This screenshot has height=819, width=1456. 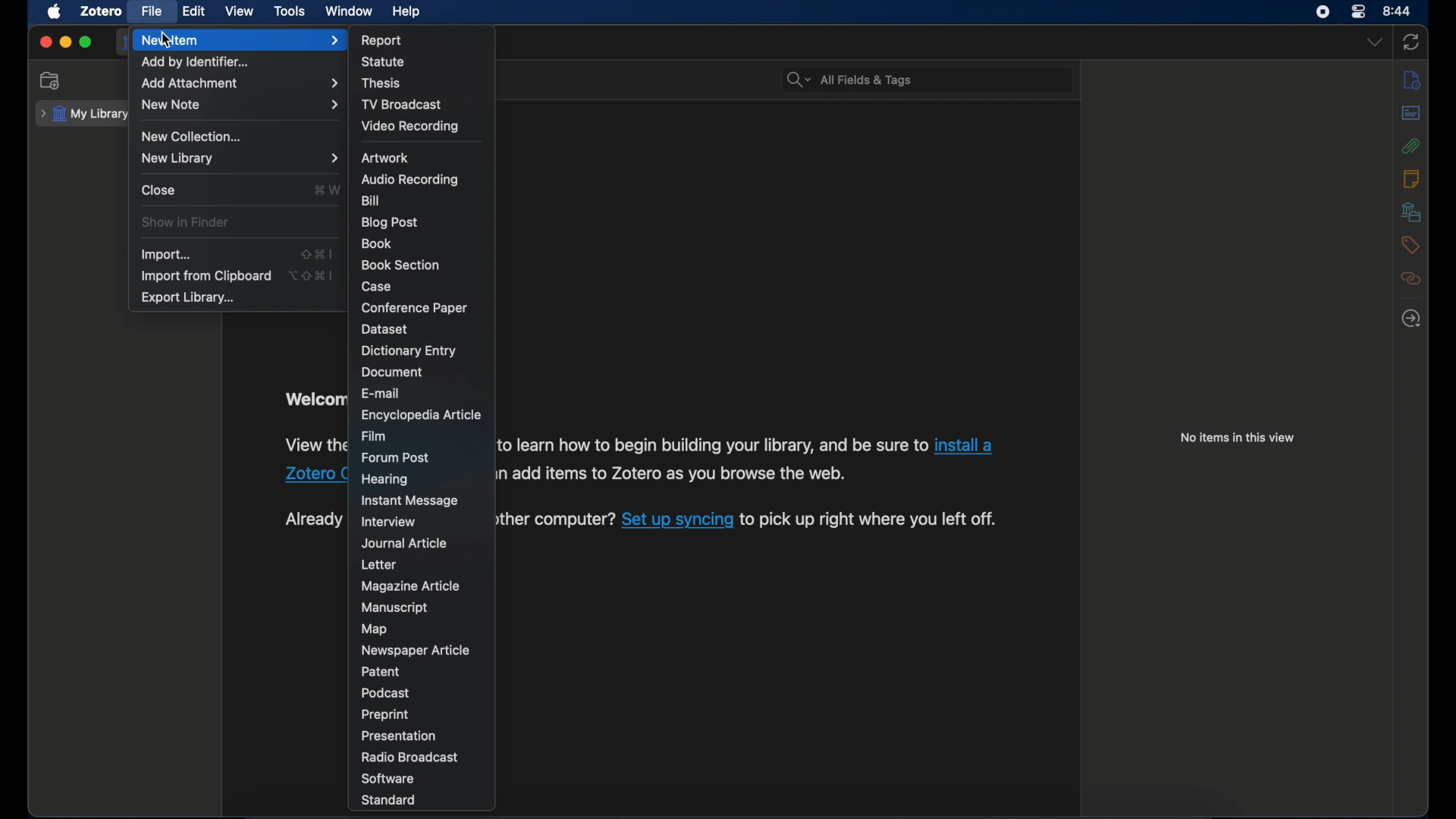 I want to click on Zotero connector link, so click(x=315, y=475).